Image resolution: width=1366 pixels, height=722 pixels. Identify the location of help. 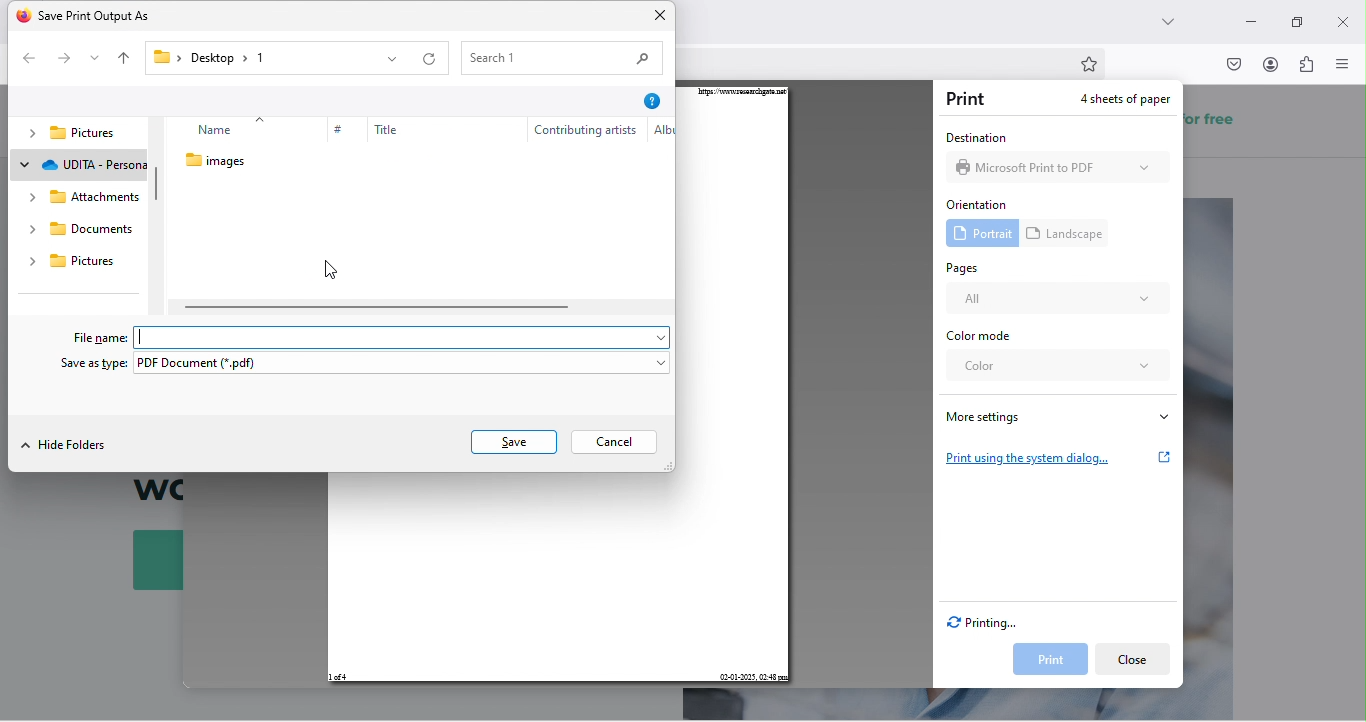
(649, 102).